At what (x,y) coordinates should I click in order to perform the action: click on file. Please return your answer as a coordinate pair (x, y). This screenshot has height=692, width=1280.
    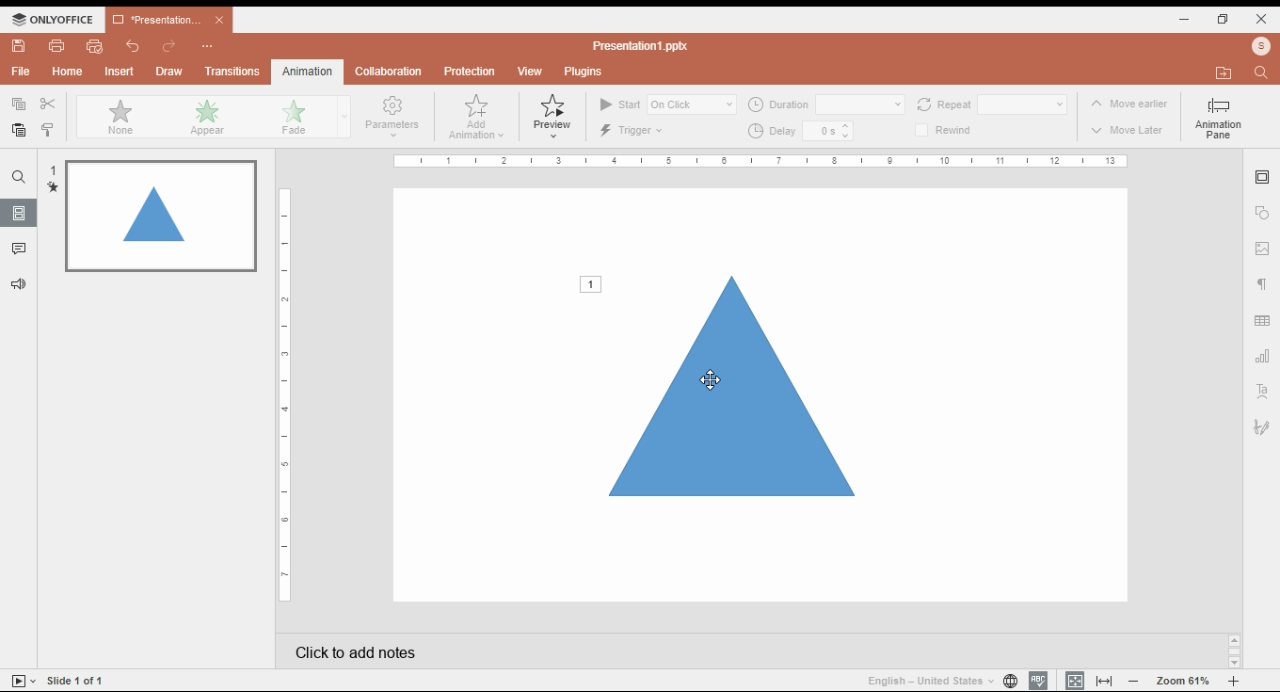
    Looking at the image, I should click on (21, 73).